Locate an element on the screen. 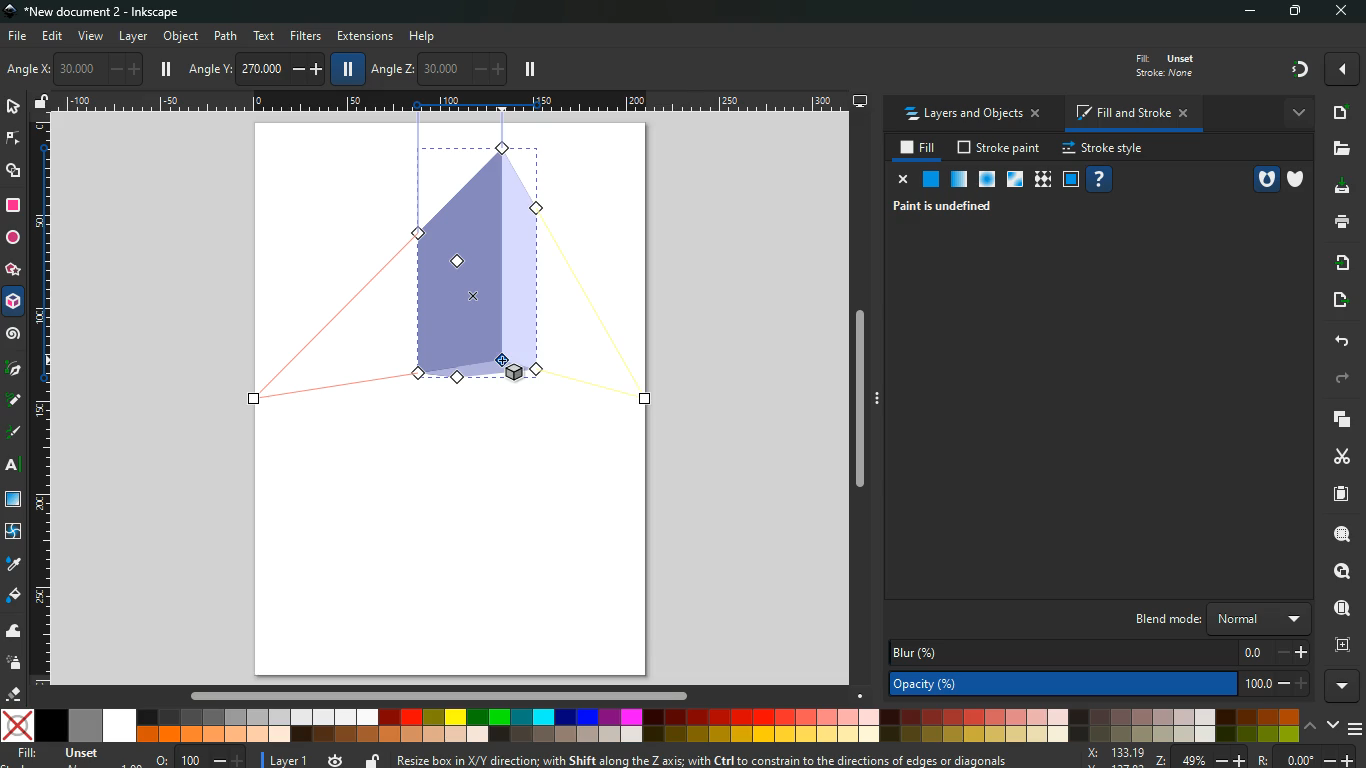 The height and width of the screenshot is (768, 1366). extensions is located at coordinates (365, 37).